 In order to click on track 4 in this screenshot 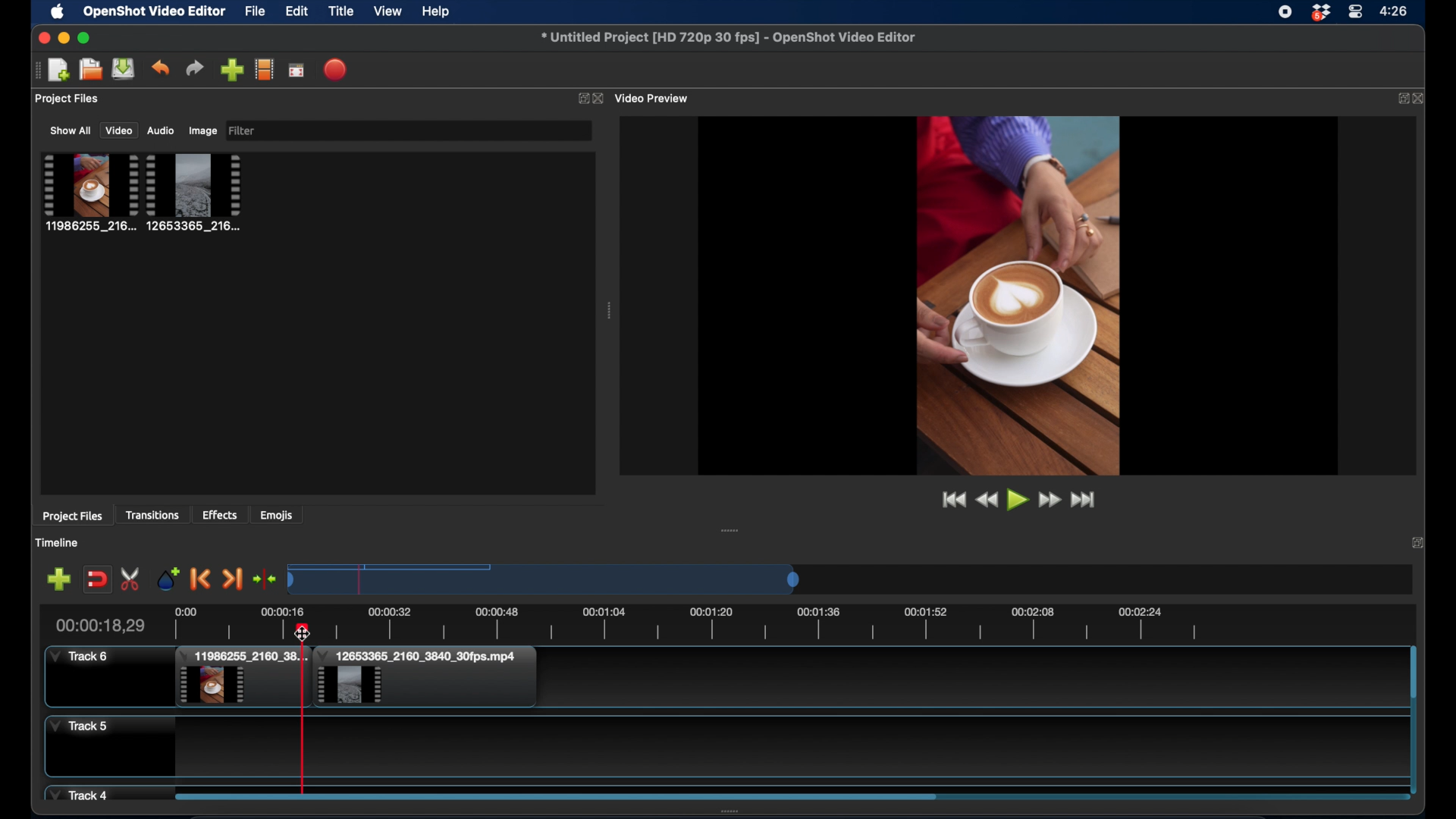, I will do `click(81, 793)`.